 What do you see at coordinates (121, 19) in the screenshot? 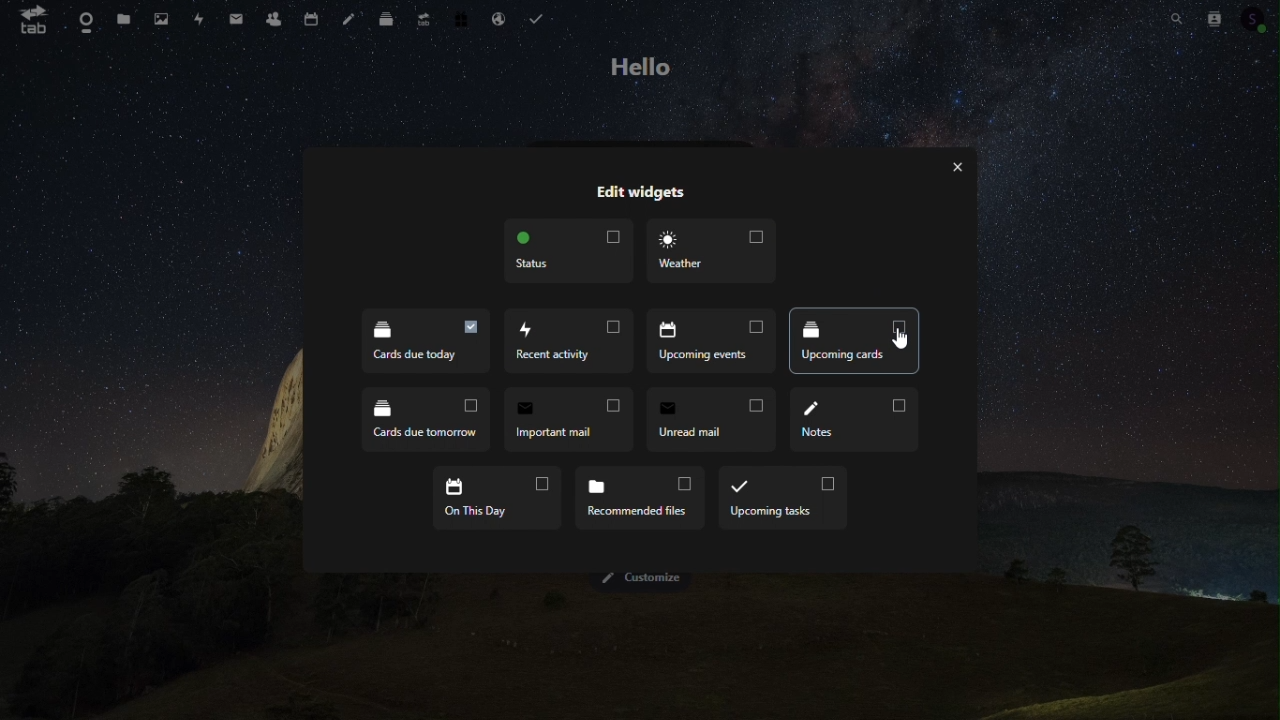
I see `files` at bounding box center [121, 19].